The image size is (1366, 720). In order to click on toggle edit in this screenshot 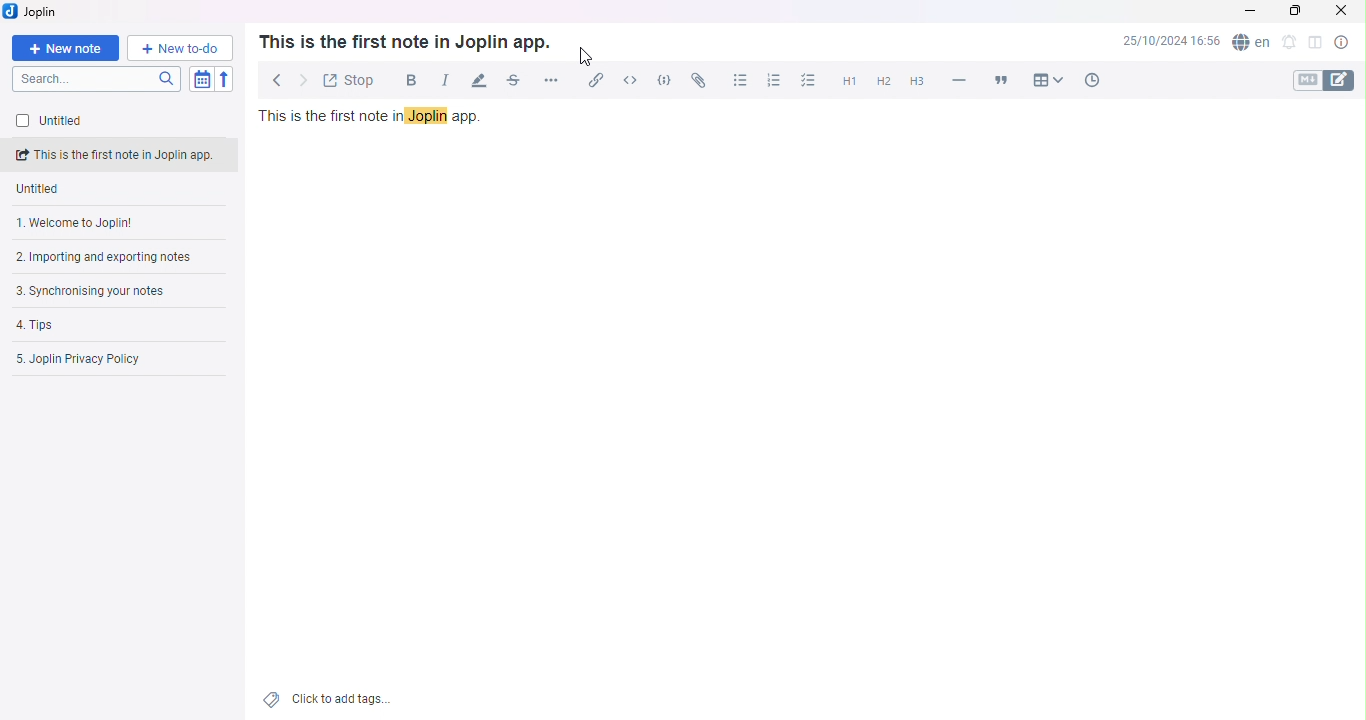, I will do `click(1345, 80)`.